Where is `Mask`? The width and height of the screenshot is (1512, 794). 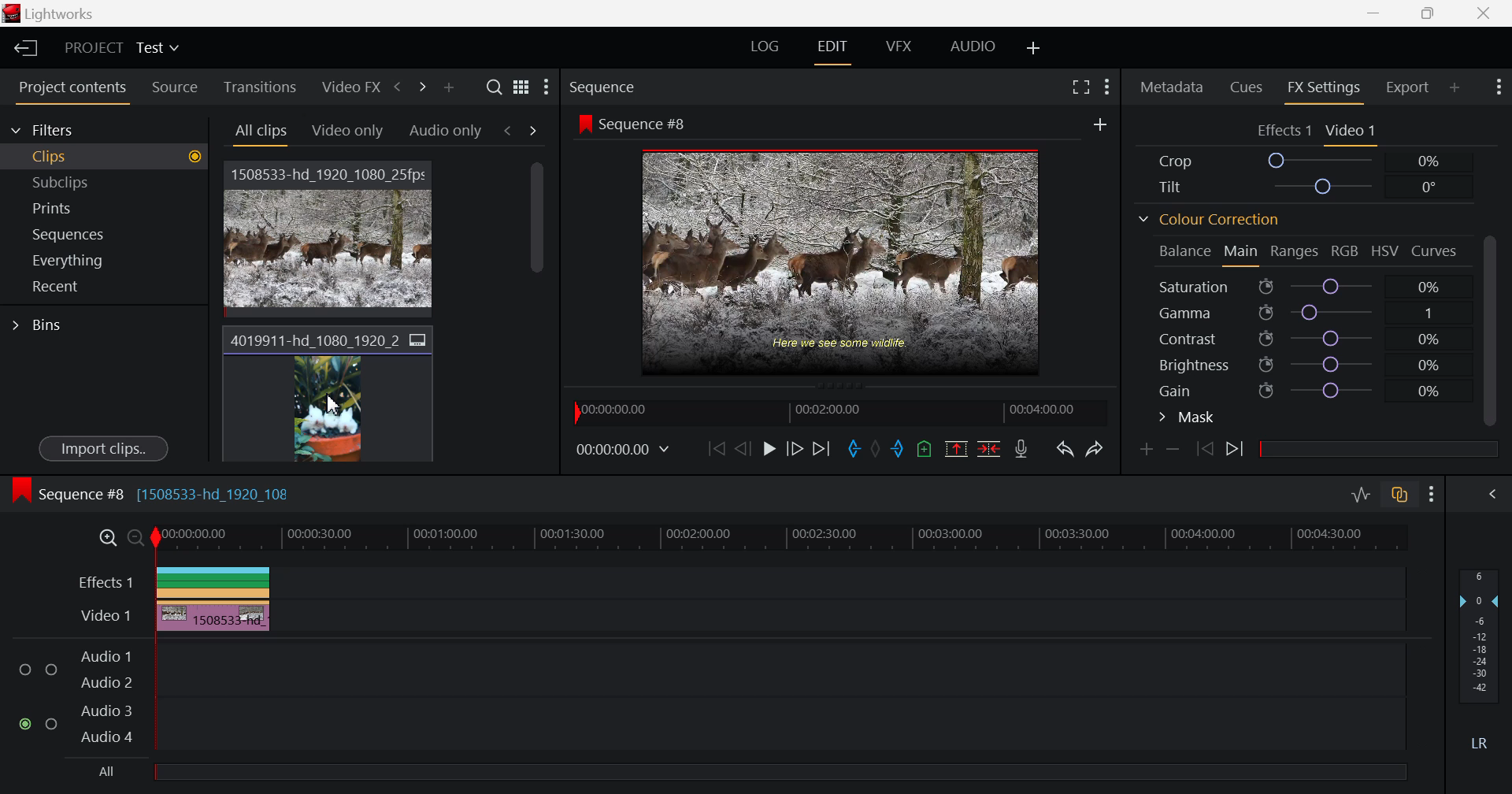
Mask is located at coordinates (1189, 417).